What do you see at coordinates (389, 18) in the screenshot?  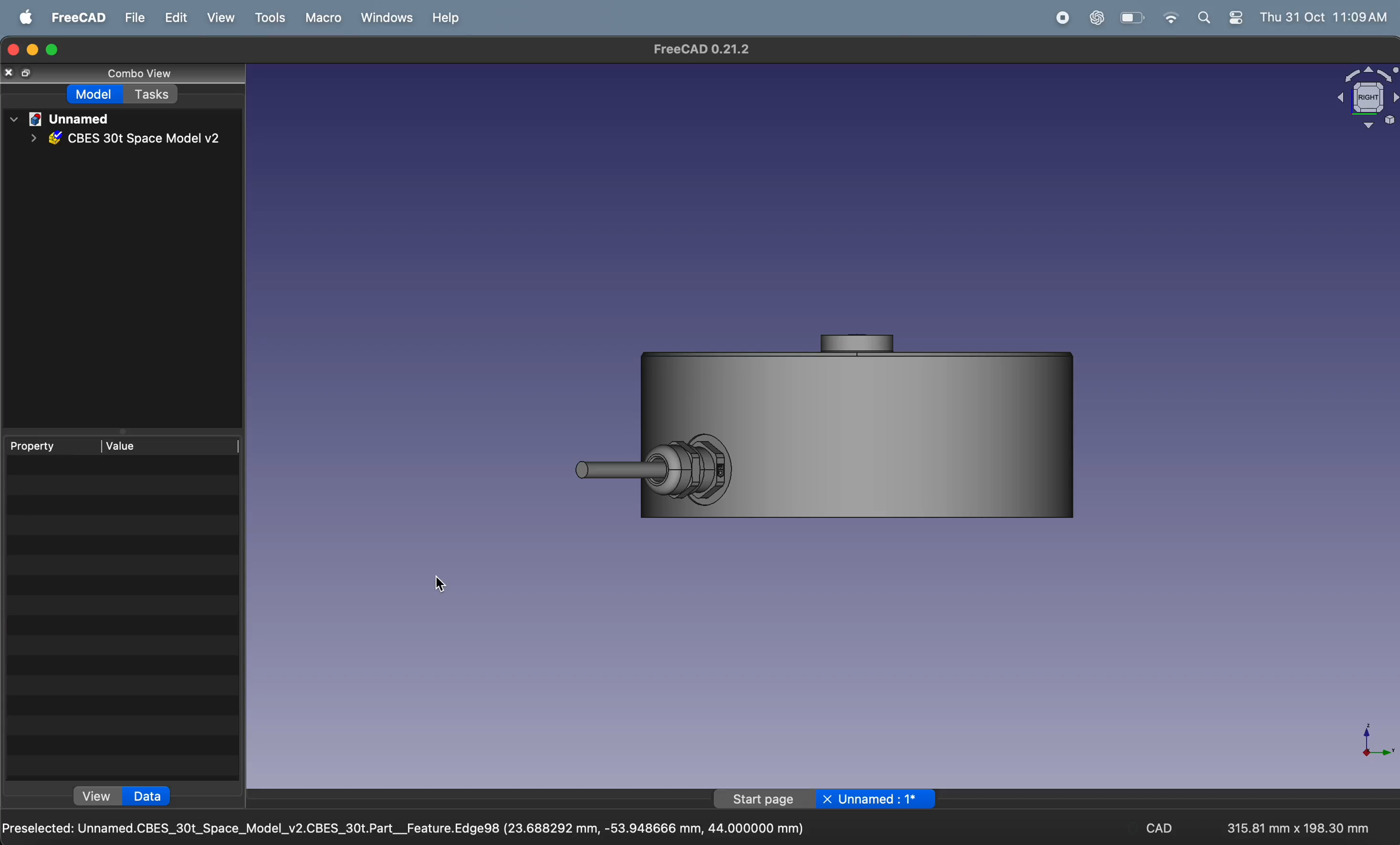 I see `windows` at bounding box center [389, 18].